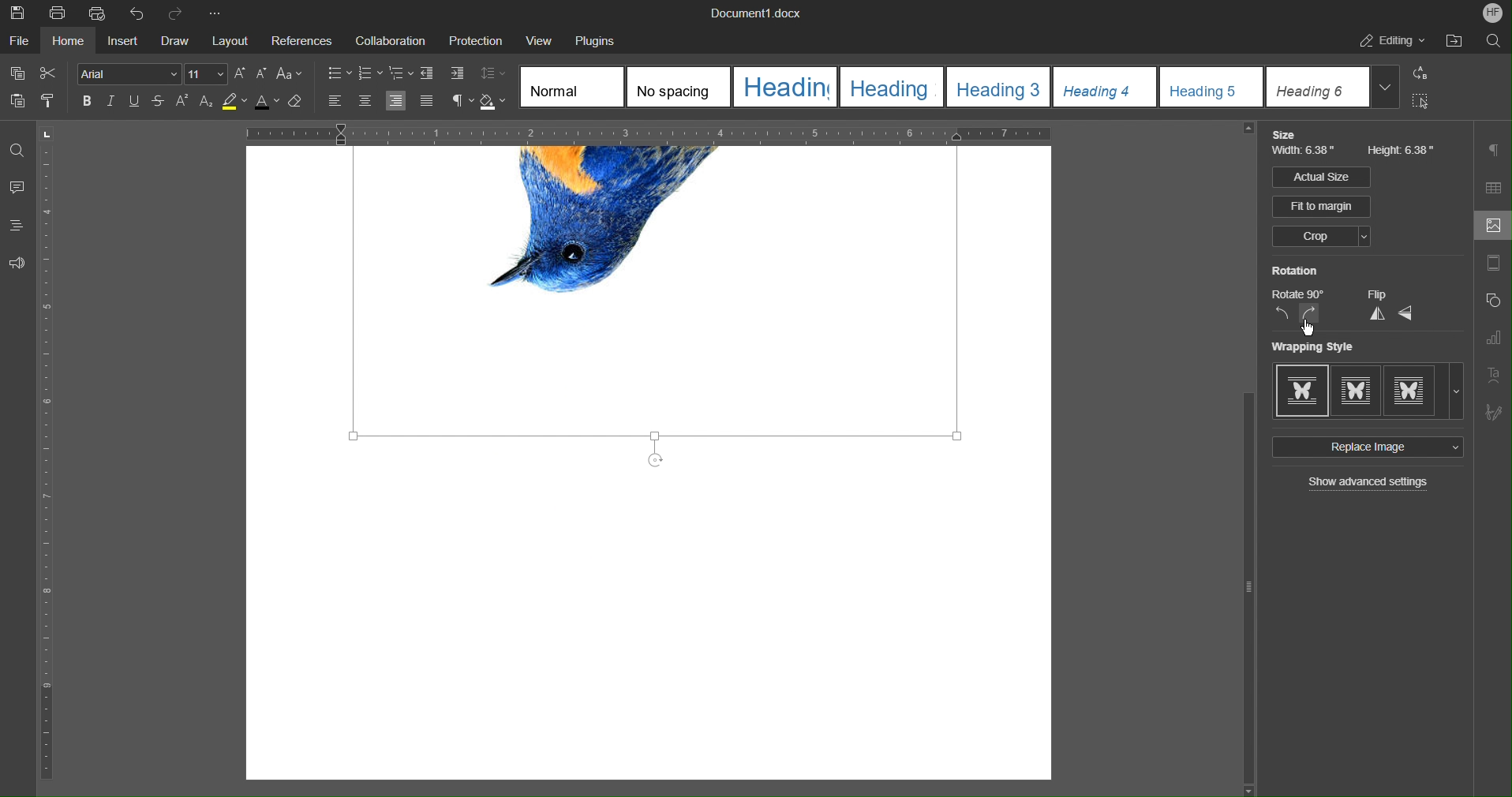 The height and width of the screenshot is (797, 1512). What do you see at coordinates (17, 189) in the screenshot?
I see `Comments` at bounding box center [17, 189].